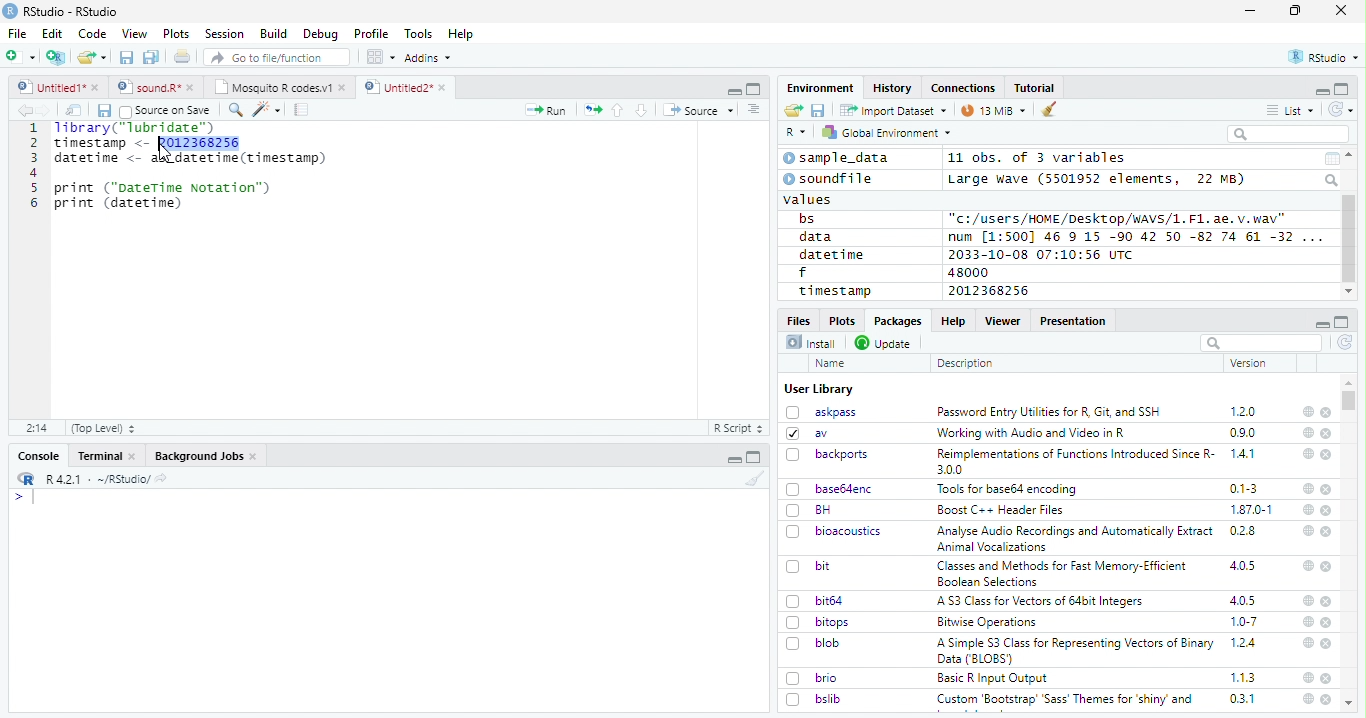 The height and width of the screenshot is (718, 1366). I want to click on typing cursor, so click(24, 497).